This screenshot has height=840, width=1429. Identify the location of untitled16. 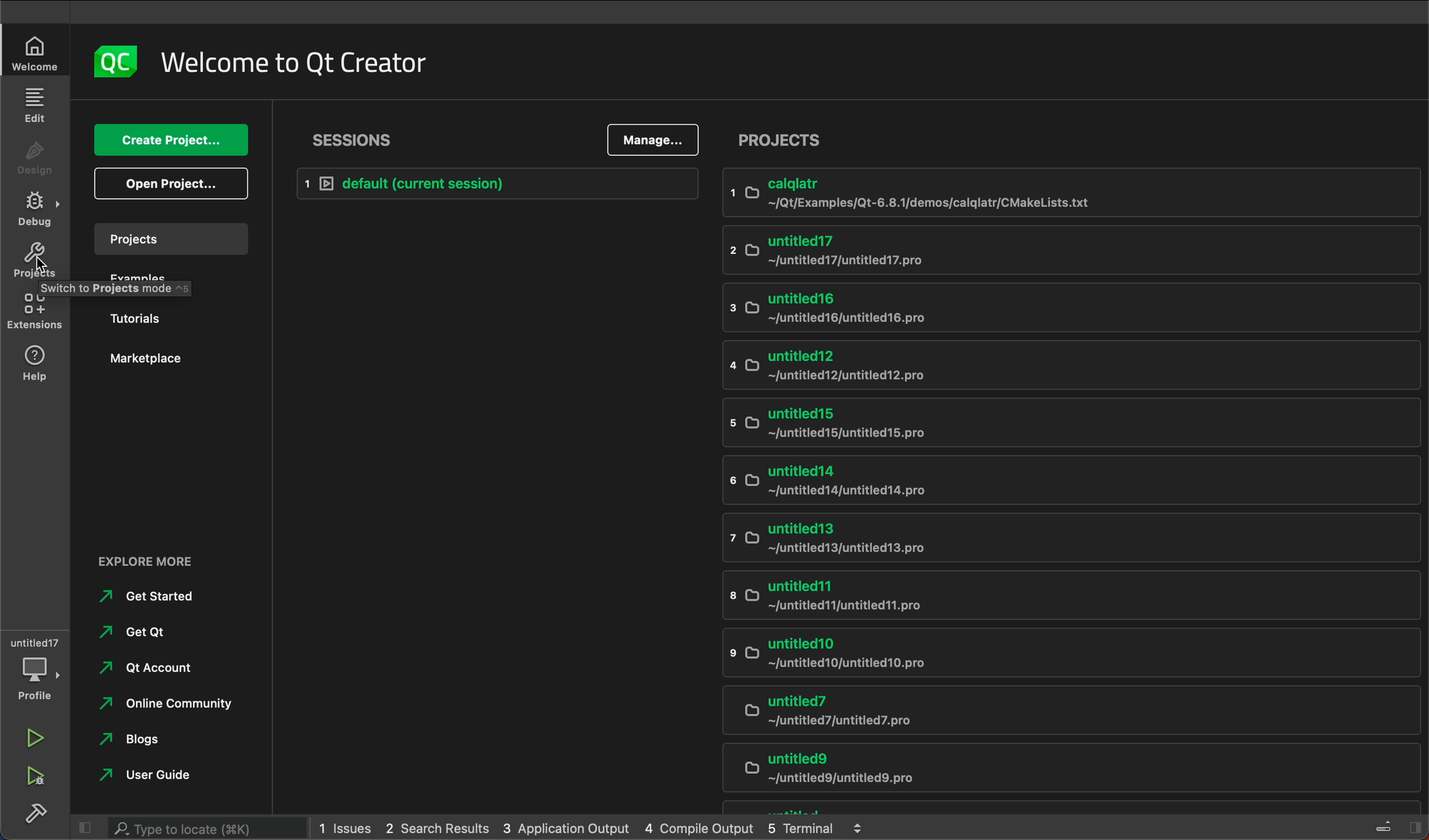
(1062, 309).